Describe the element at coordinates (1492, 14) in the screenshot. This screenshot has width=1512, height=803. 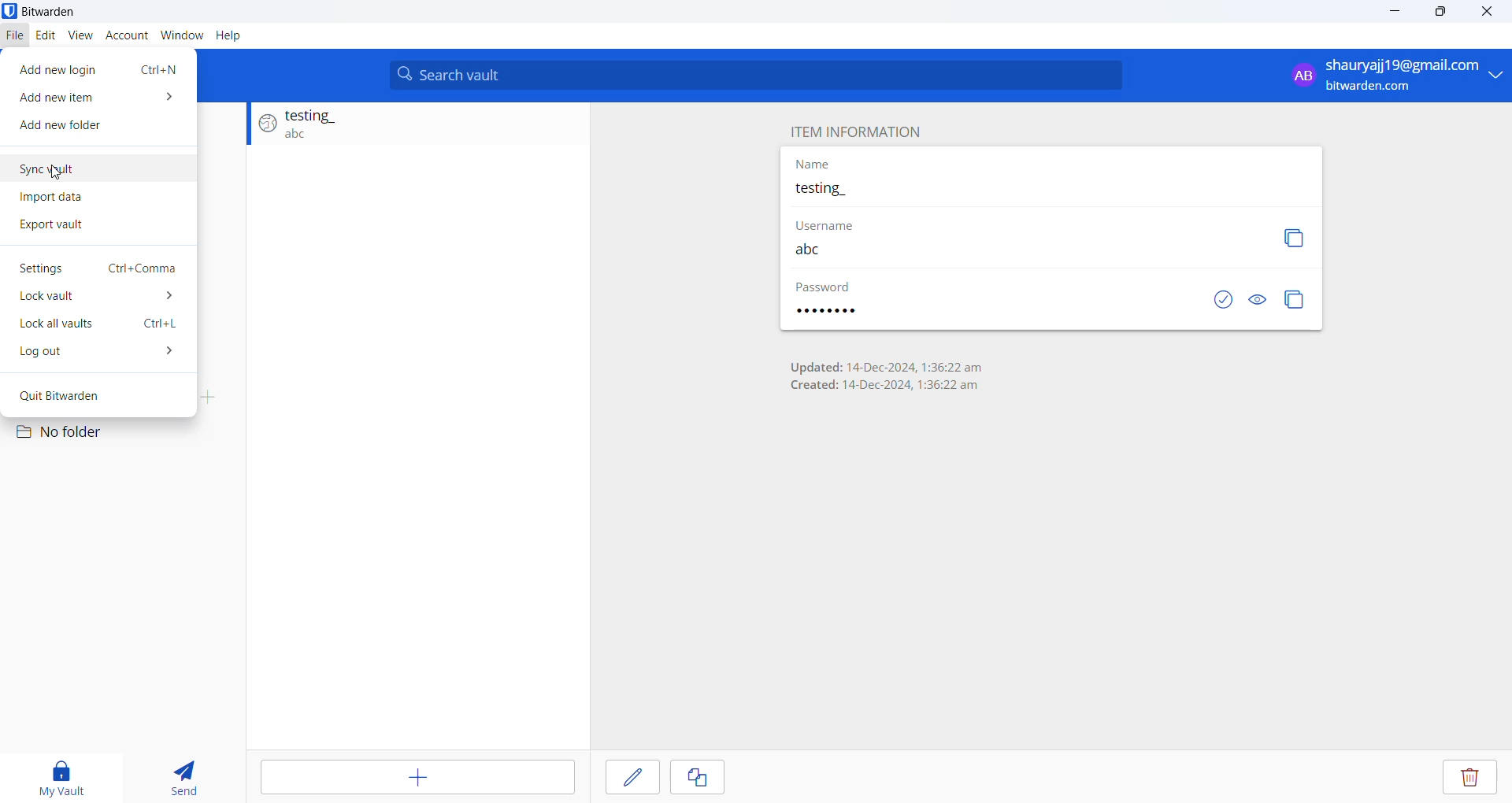
I see `Close` at that location.